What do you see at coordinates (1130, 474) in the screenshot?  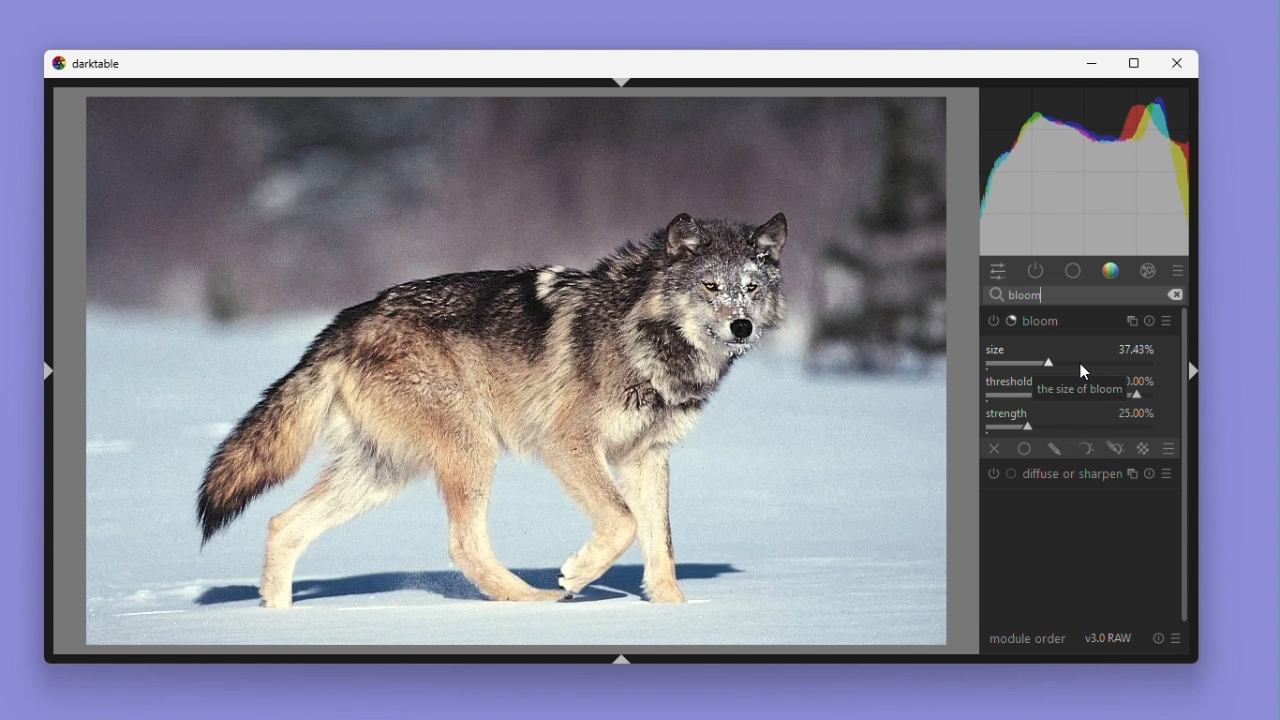 I see `Multiple instance` at bounding box center [1130, 474].